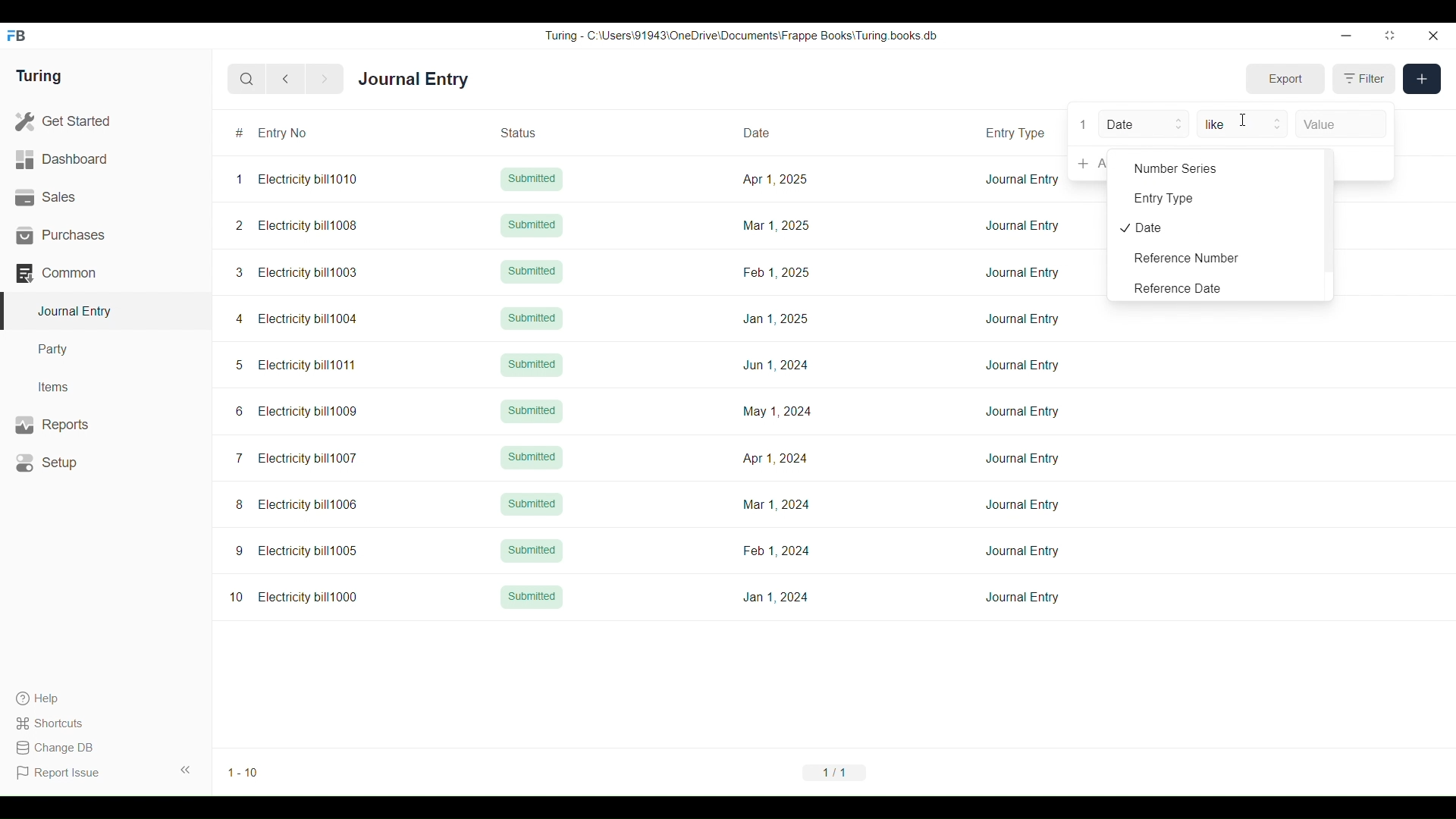  What do you see at coordinates (1286, 79) in the screenshot?
I see `Export` at bounding box center [1286, 79].